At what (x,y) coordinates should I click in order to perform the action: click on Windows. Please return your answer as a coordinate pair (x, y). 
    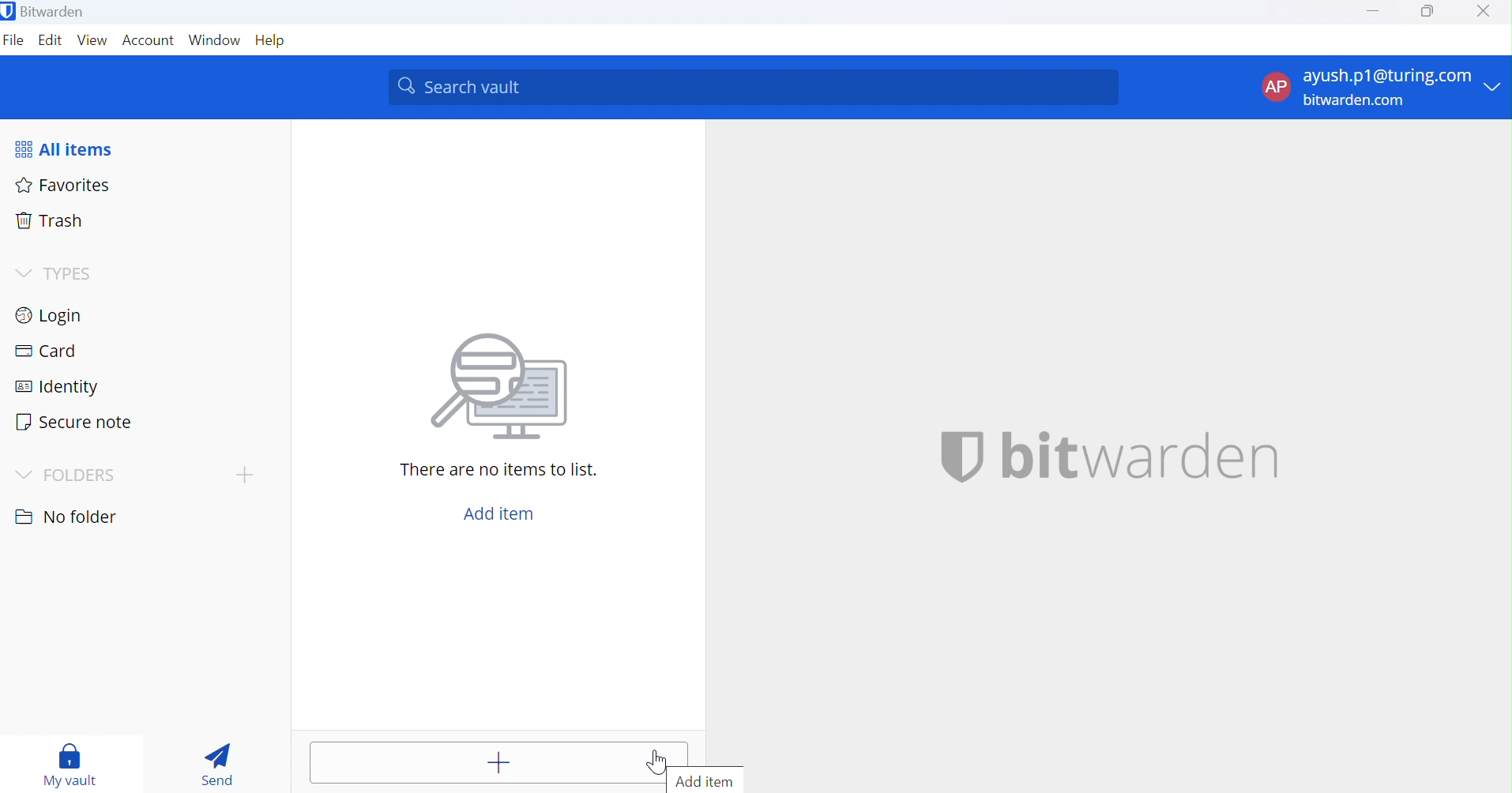
    Looking at the image, I should click on (215, 43).